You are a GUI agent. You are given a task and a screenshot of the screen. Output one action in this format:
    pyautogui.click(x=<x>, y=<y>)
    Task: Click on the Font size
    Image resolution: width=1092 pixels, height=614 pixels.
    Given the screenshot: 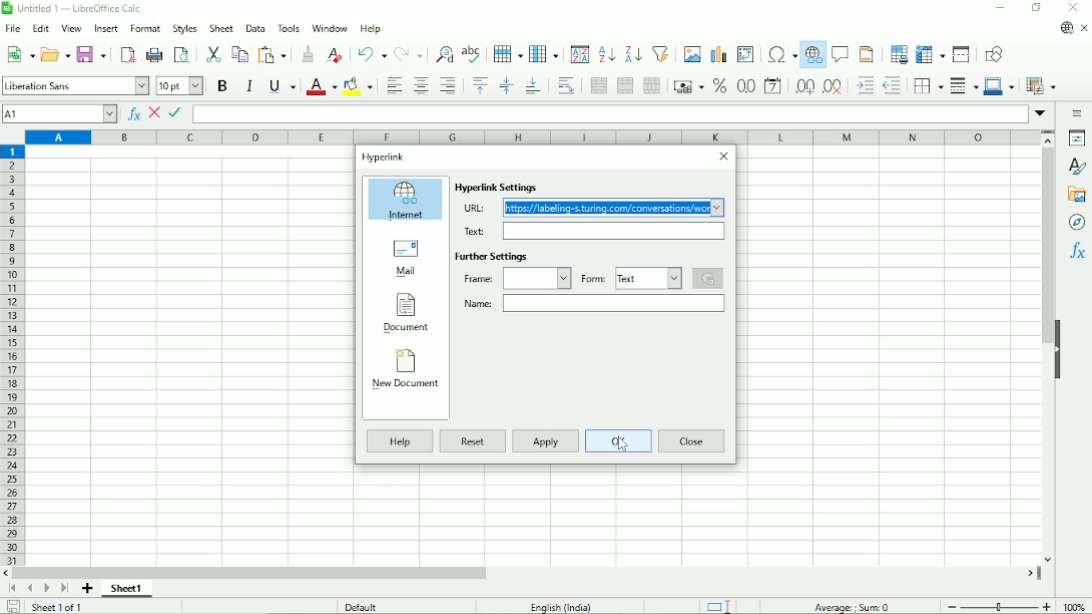 What is the action you would take?
    pyautogui.click(x=181, y=85)
    